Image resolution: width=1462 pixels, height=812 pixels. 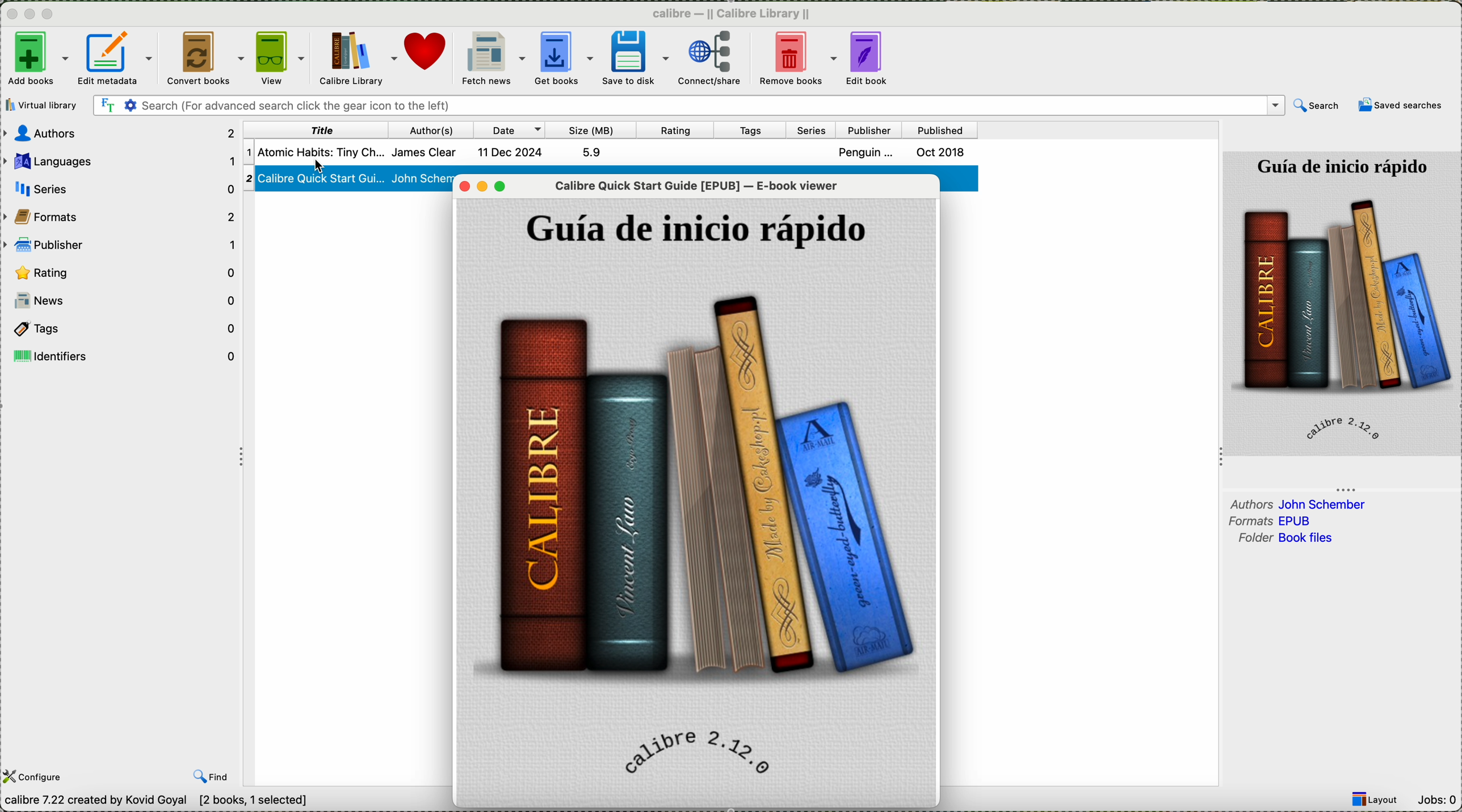 I want to click on size, so click(x=593, y=132).